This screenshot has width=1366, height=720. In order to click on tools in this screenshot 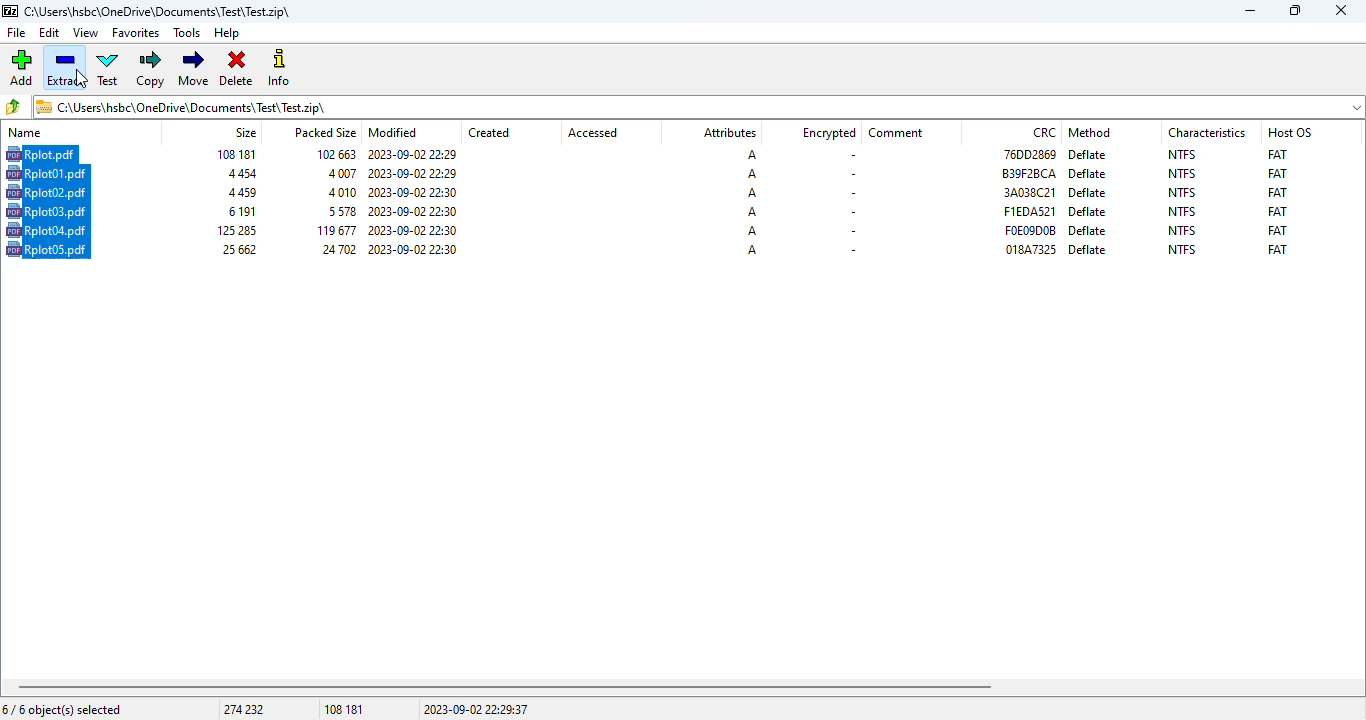, I will do `click(188, 34)`.